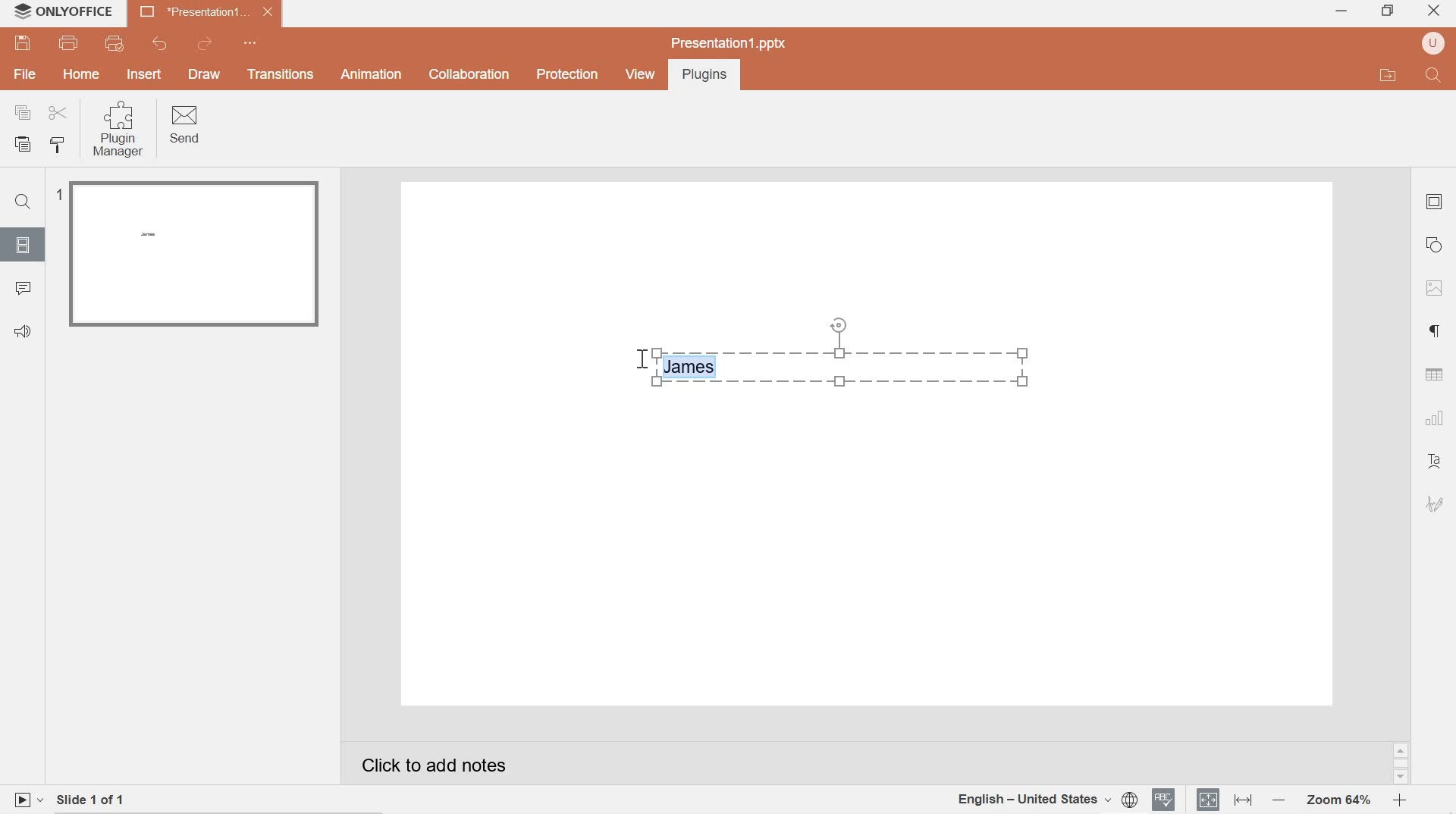  I want to click on Feedback & support, so click(23, 331).